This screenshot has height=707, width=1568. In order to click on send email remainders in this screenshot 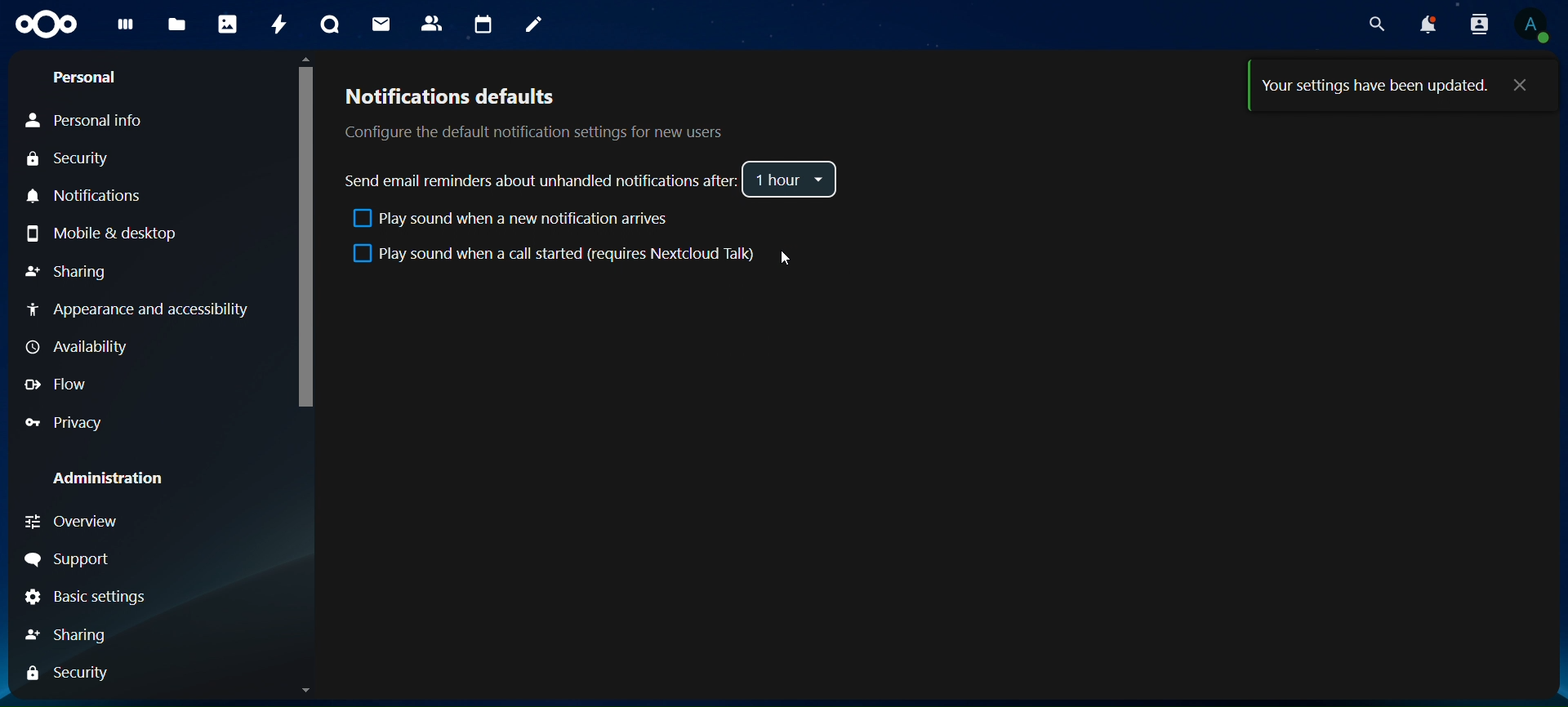, I will do `click(542, 180)`.